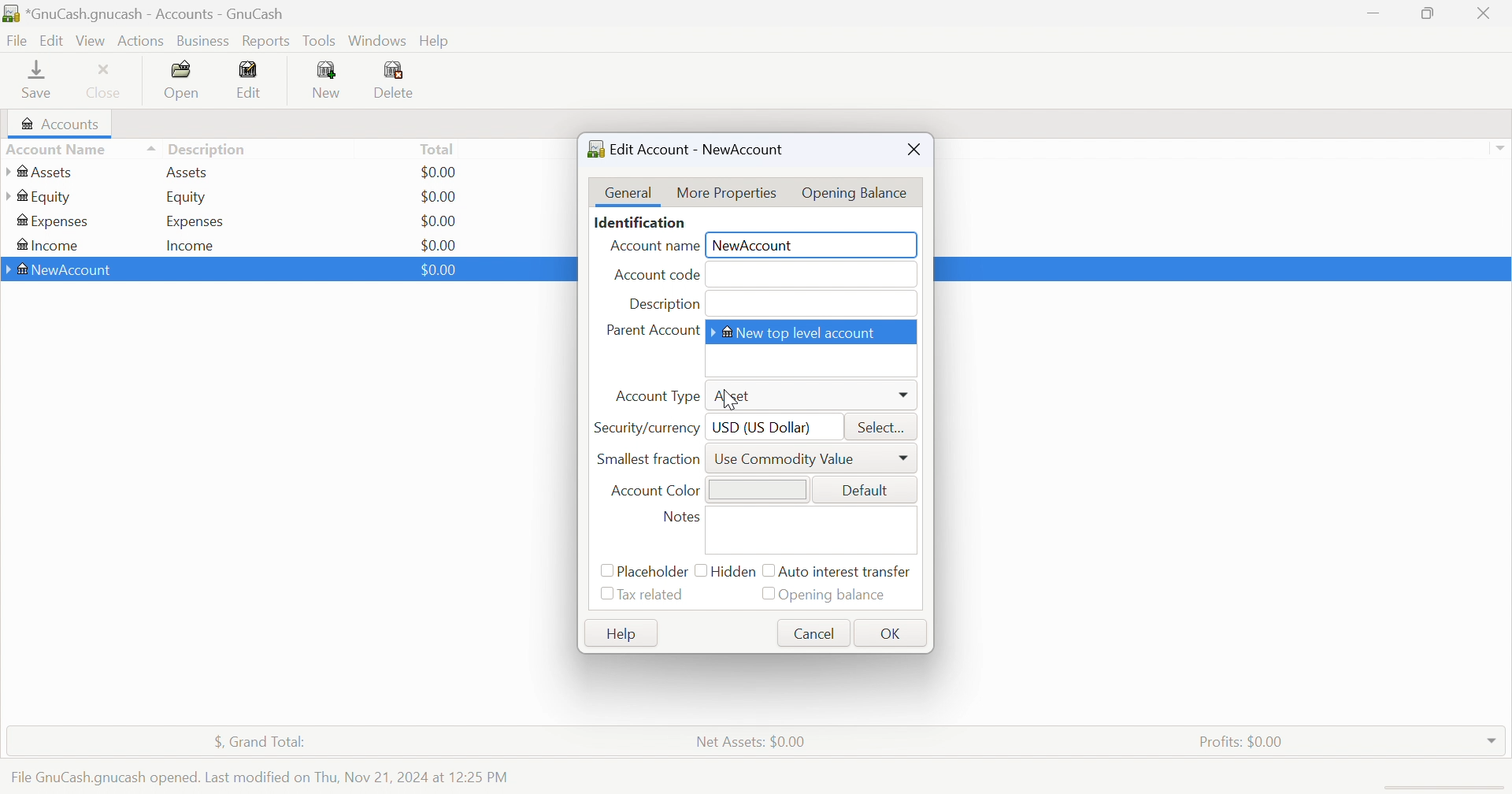  I want to click on Smallest fraction, so click(646, 457).